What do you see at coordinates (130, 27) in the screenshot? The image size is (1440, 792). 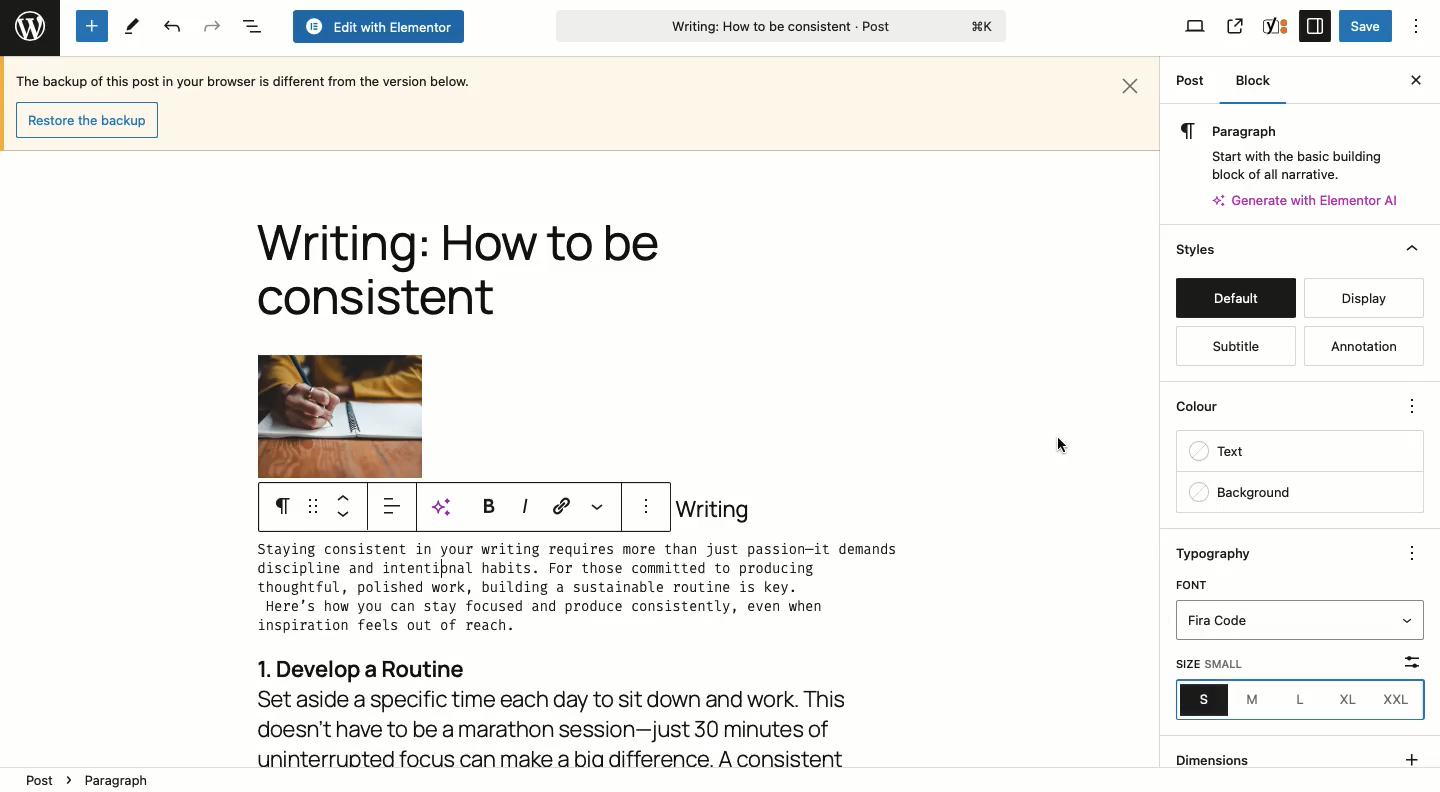 I see `Tools` at bounding box center [130, 27].